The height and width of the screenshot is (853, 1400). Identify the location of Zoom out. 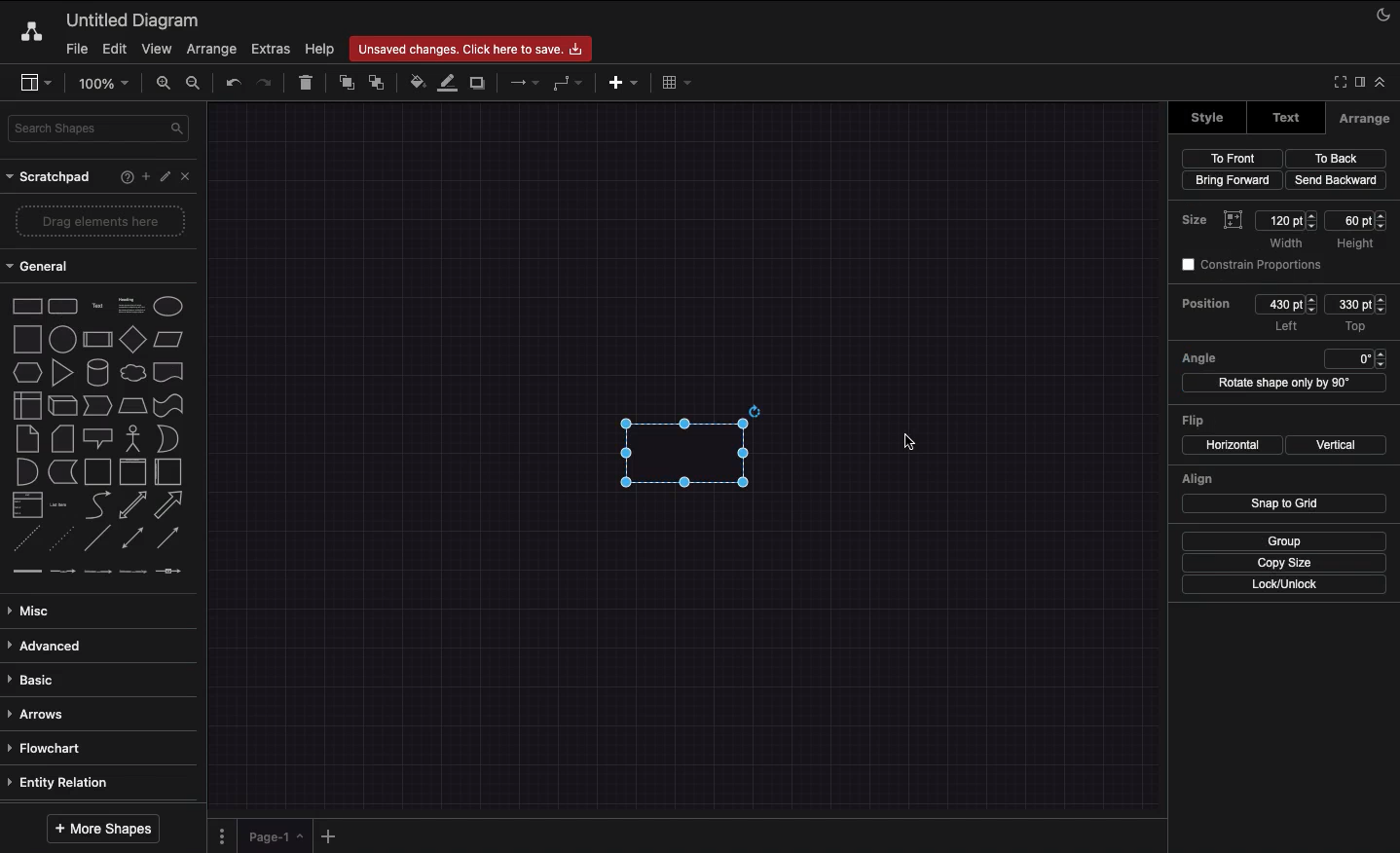
(195, 85).